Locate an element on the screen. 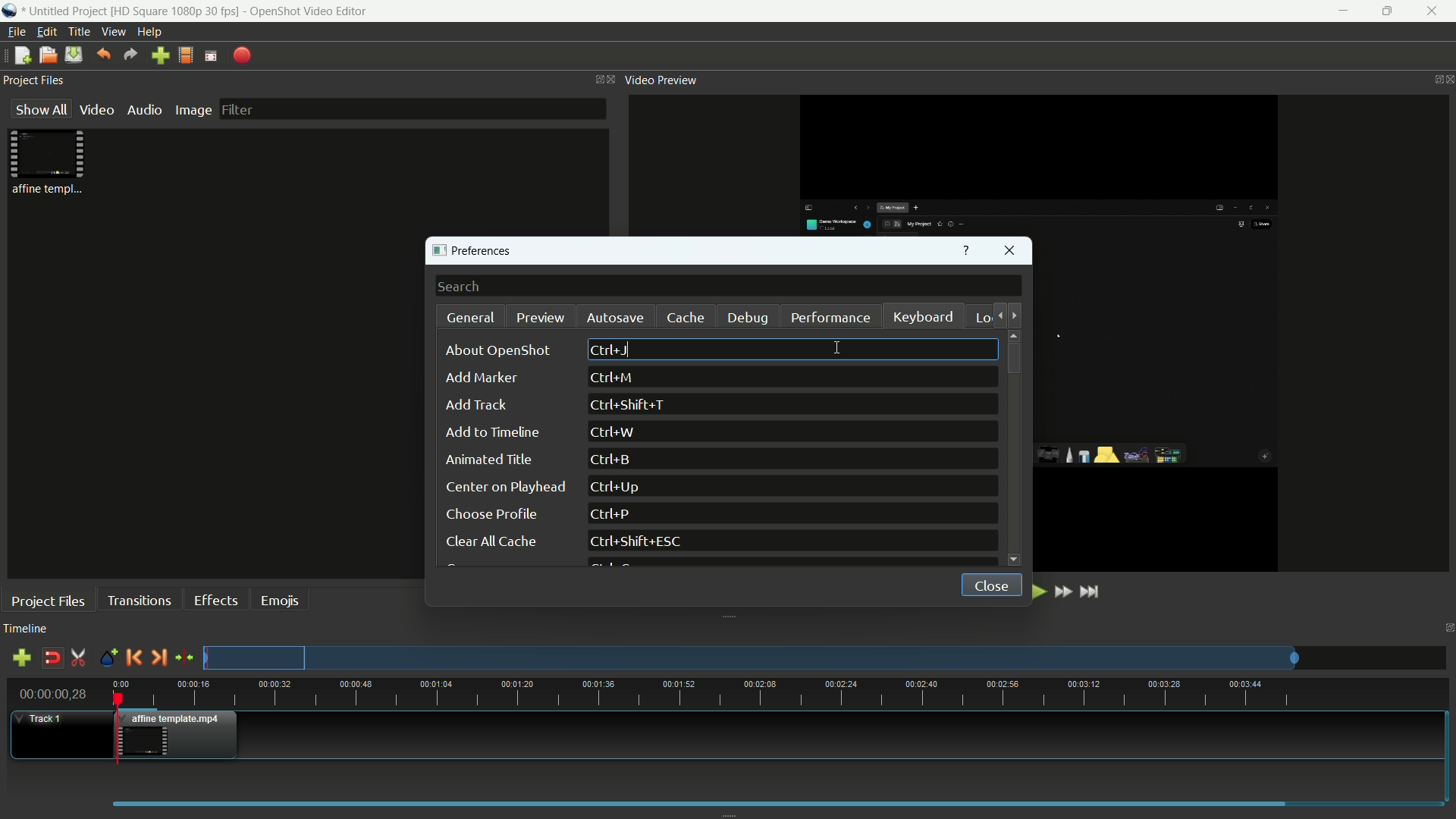  view menu is located at coordinates (114, 32).